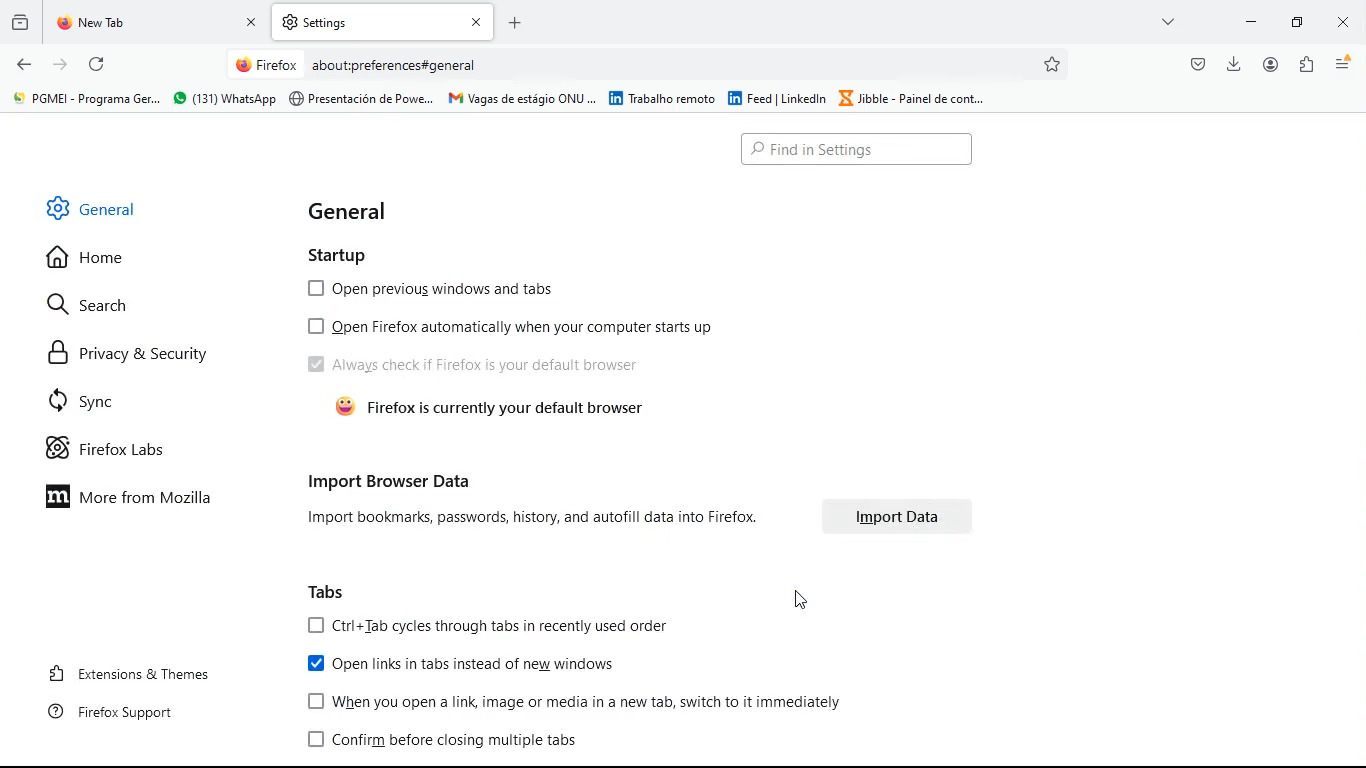  What do you see at coordinates (331, 592) in the screenshot?
I see `tabs` at bounding box center [331, 592].